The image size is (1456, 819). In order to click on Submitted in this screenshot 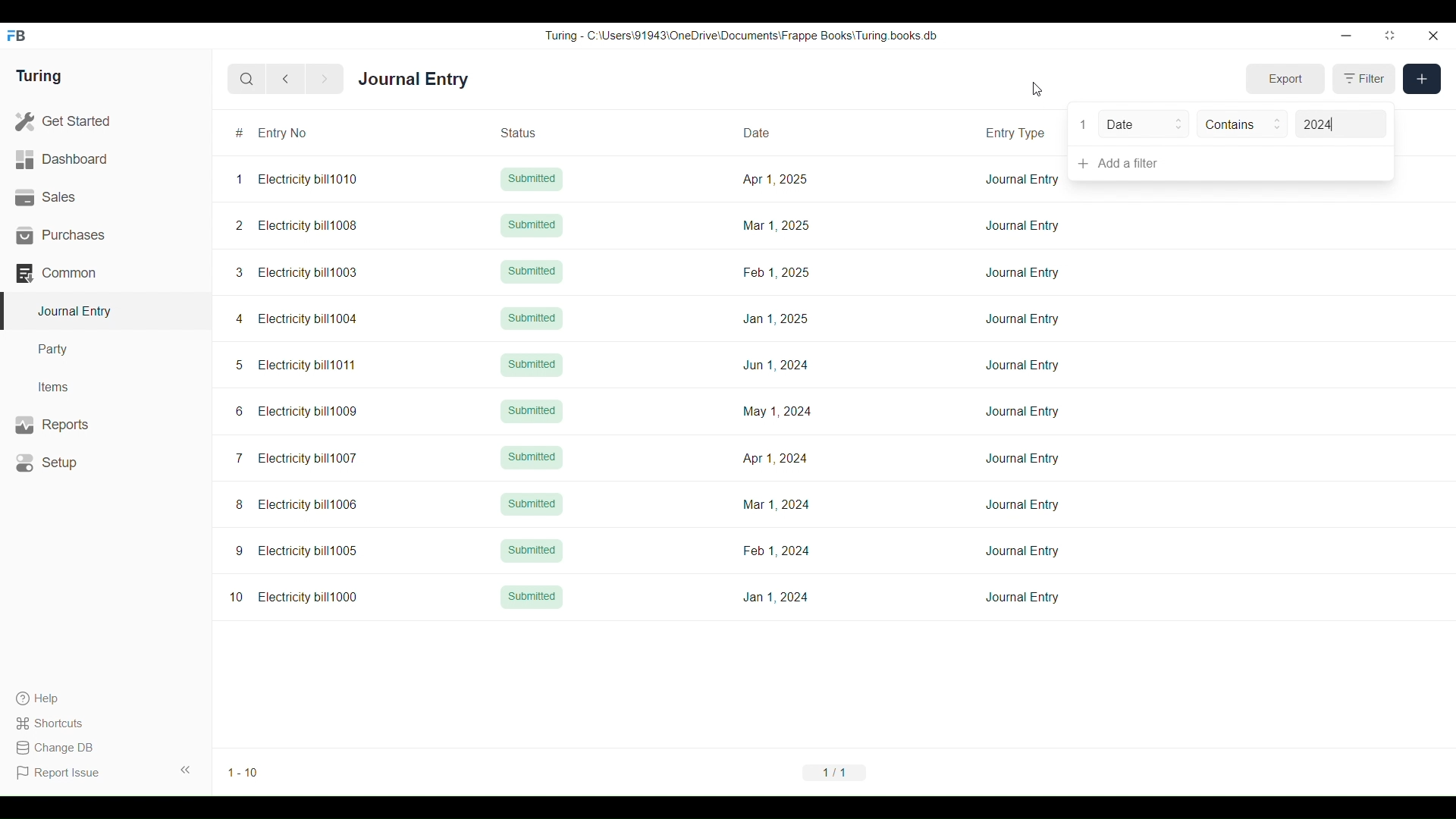, I will do `click(531, 503)`.